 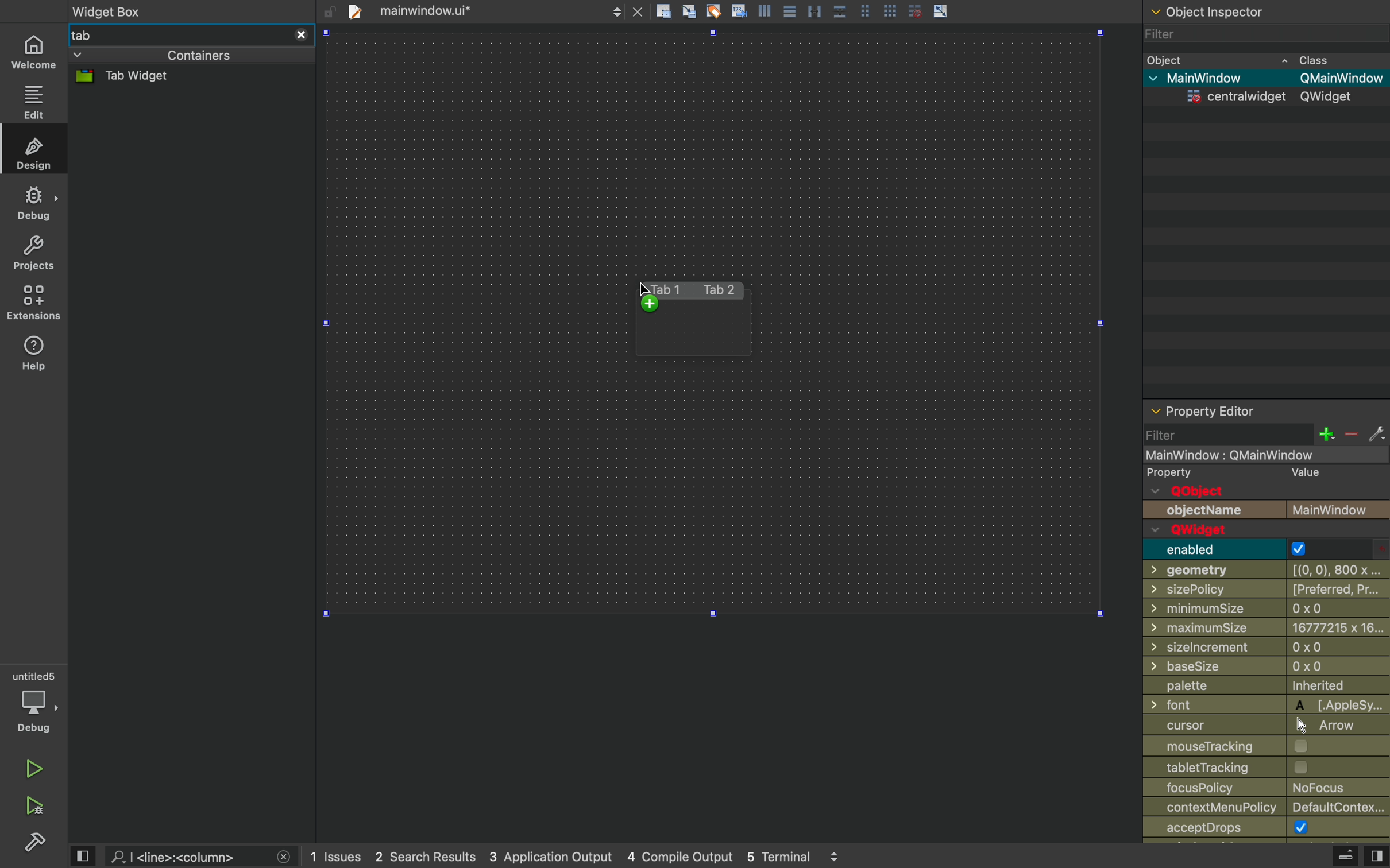 I want to click on widget box, so click(x=182, y=10).